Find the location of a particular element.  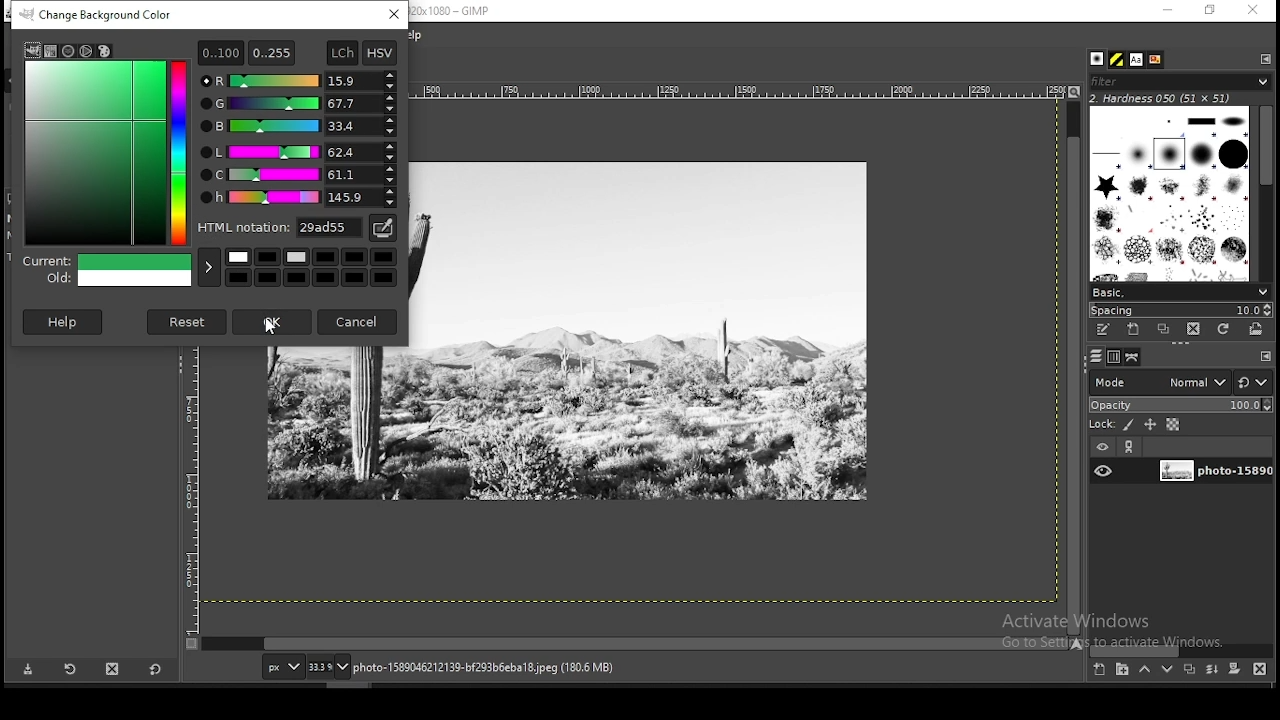

change background color is located at coordinates (102, 15).